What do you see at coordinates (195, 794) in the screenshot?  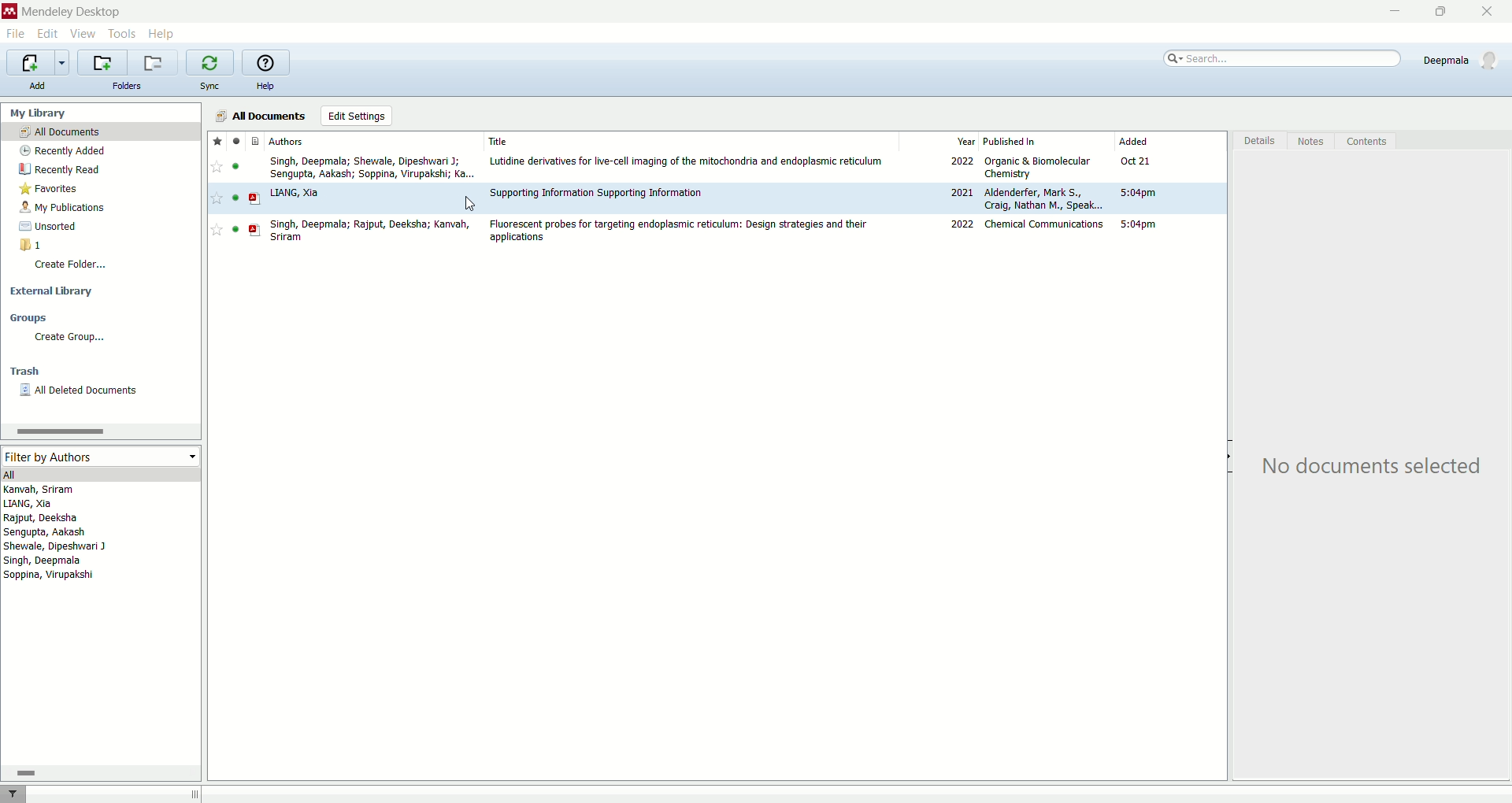 I see `toggle expand/contract` at bounding box center [195, 794].